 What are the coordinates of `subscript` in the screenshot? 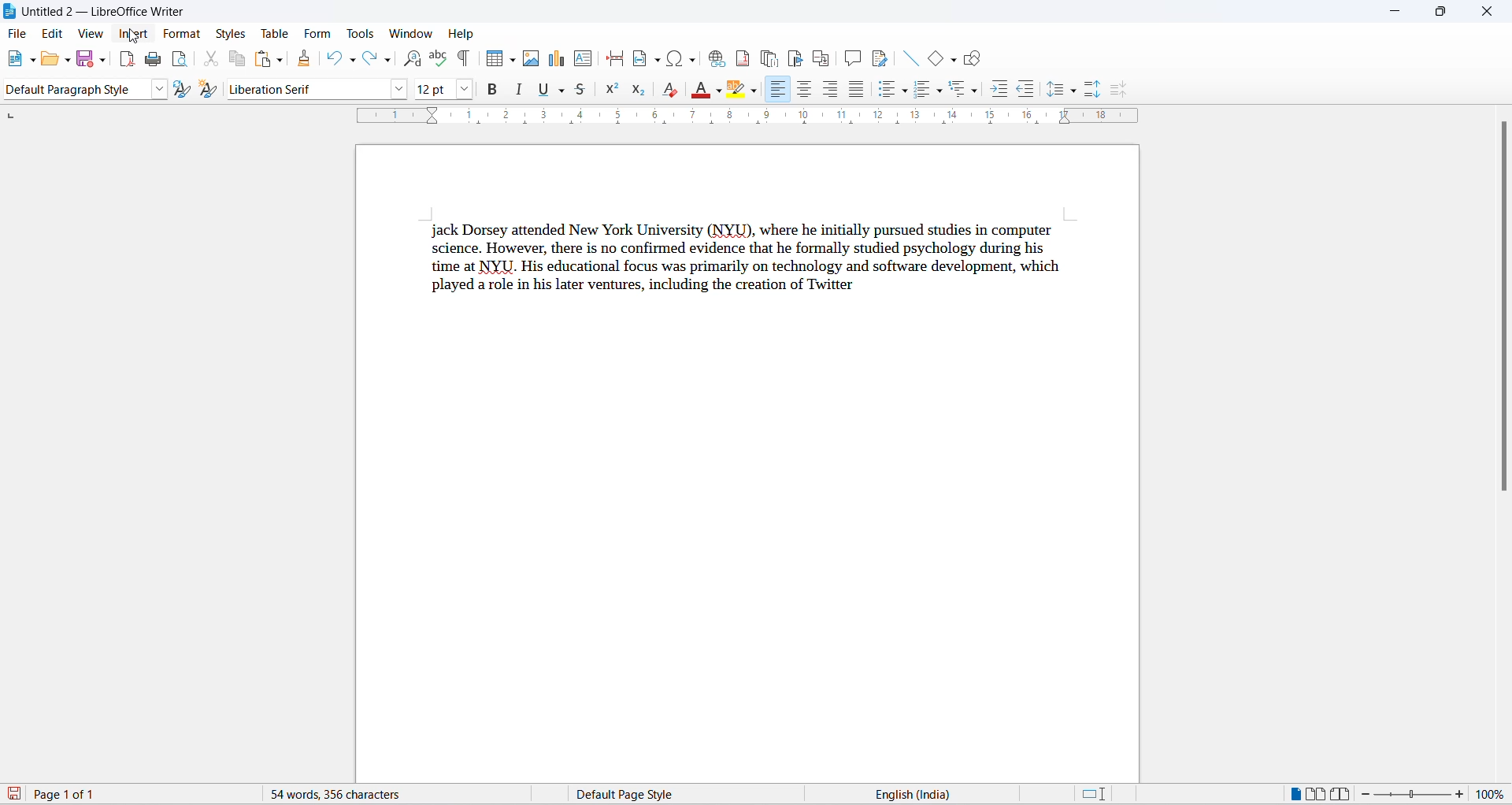 It's located at (637, 91).